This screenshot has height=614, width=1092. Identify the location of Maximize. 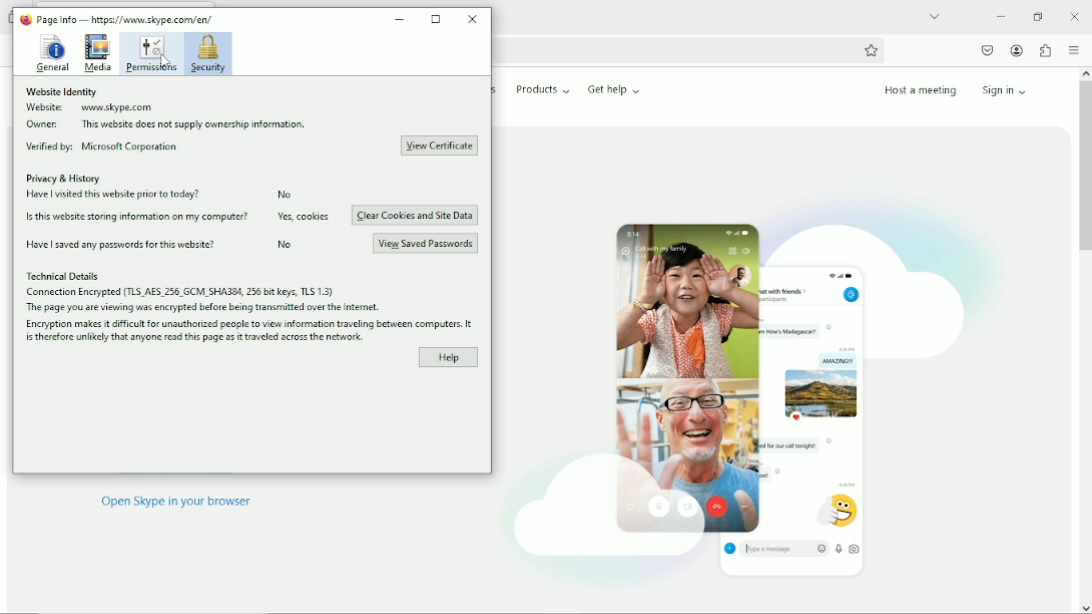
(437, 19).